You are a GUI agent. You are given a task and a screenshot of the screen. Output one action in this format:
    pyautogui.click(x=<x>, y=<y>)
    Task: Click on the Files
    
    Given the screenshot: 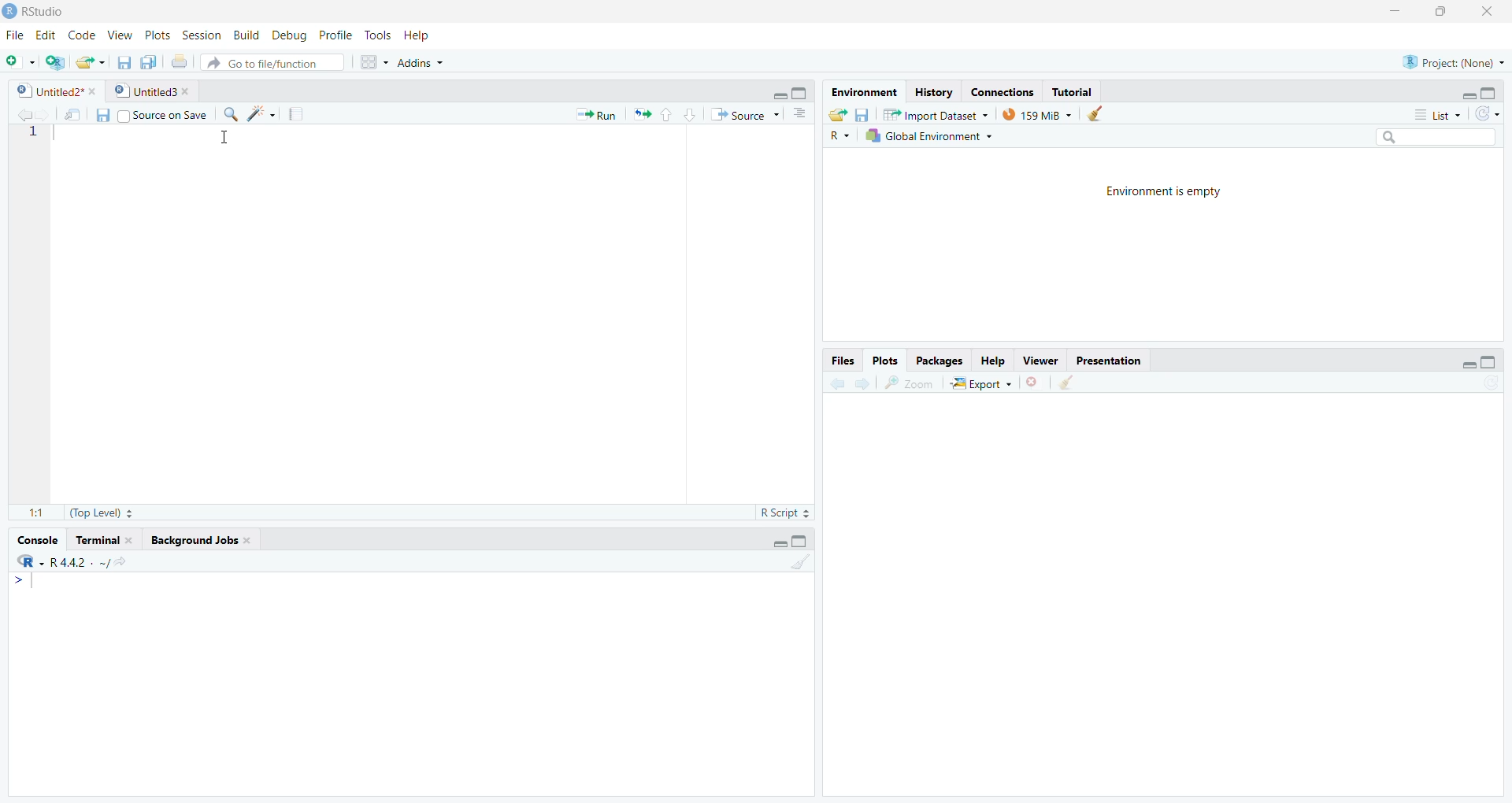 What is the action you would take?
    pyautogui.click(x=843, y=362)
    